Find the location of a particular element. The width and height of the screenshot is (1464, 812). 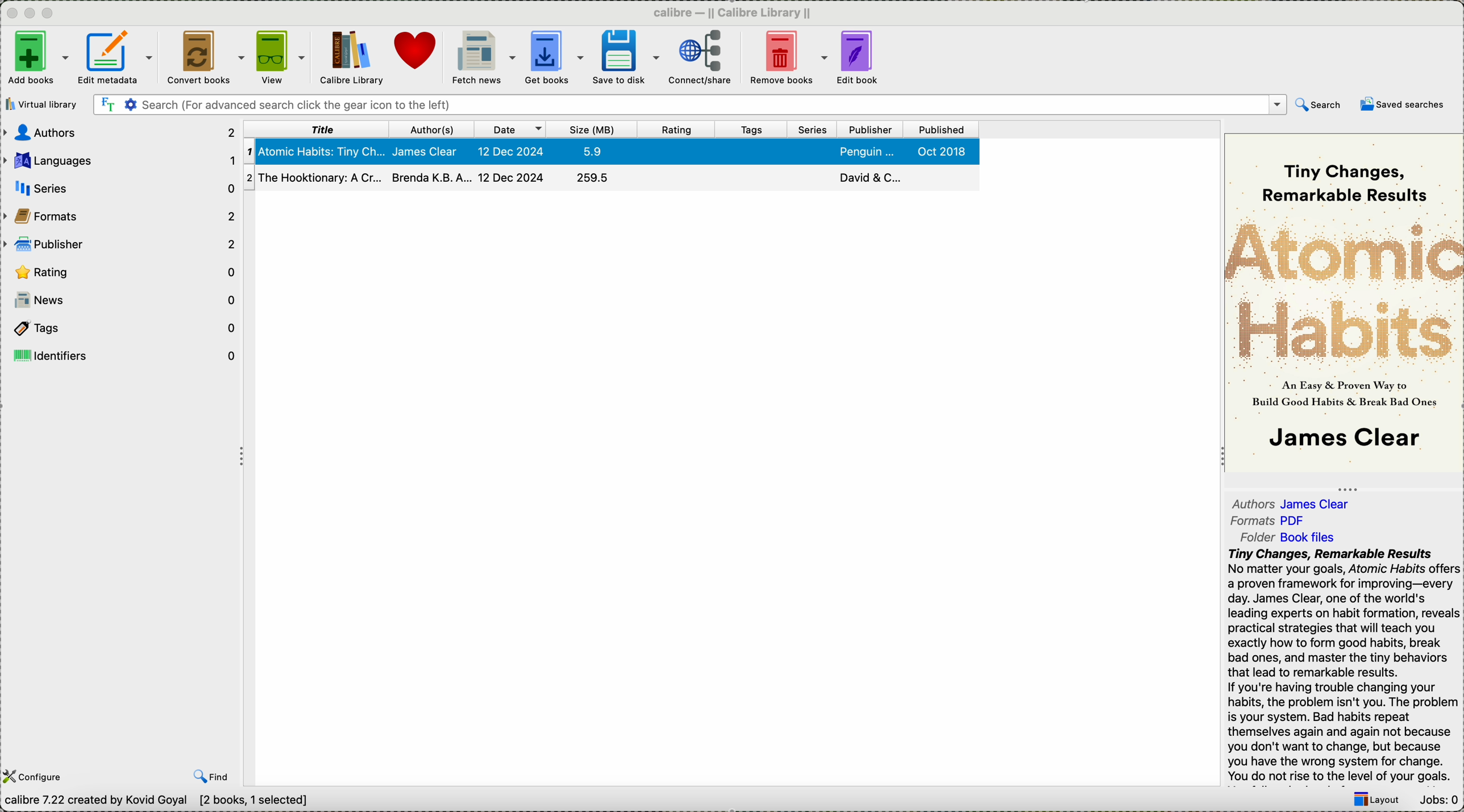

edit metadata is located at coordinates (118, 56).